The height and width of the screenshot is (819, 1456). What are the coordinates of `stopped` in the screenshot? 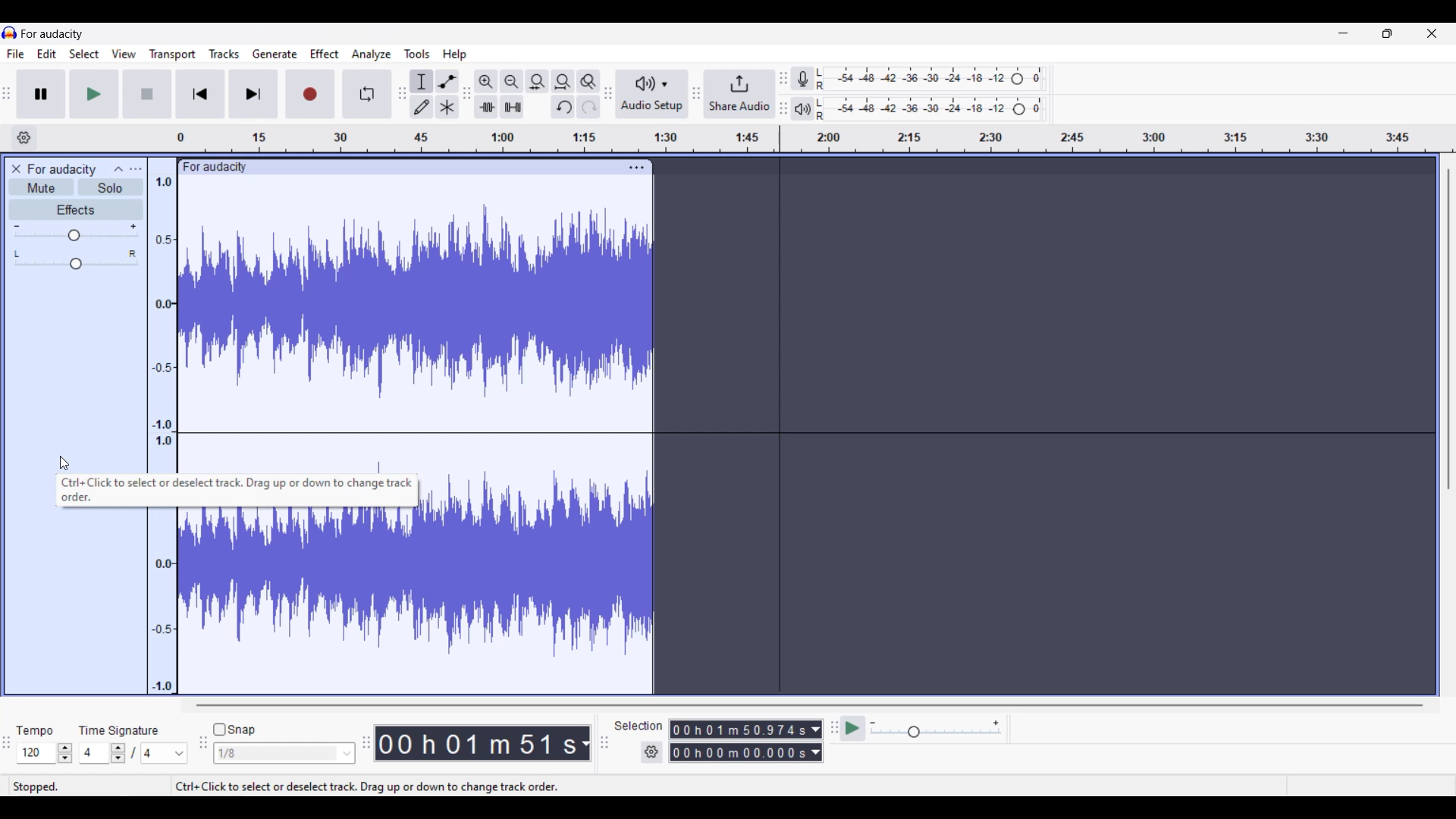 It's located at (37, 786).